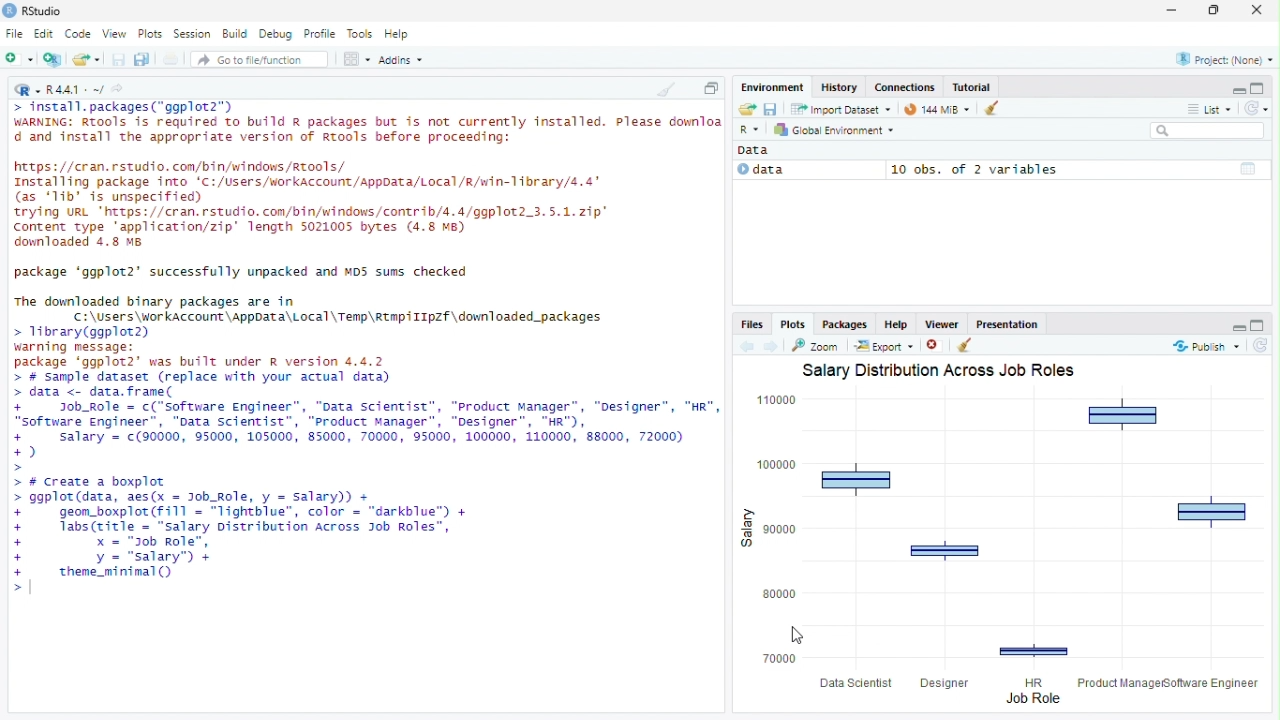  What do you see at coordinates (144, 59) in the screenshot?
I see `Save all open documents` at bounding box center [144, 59].